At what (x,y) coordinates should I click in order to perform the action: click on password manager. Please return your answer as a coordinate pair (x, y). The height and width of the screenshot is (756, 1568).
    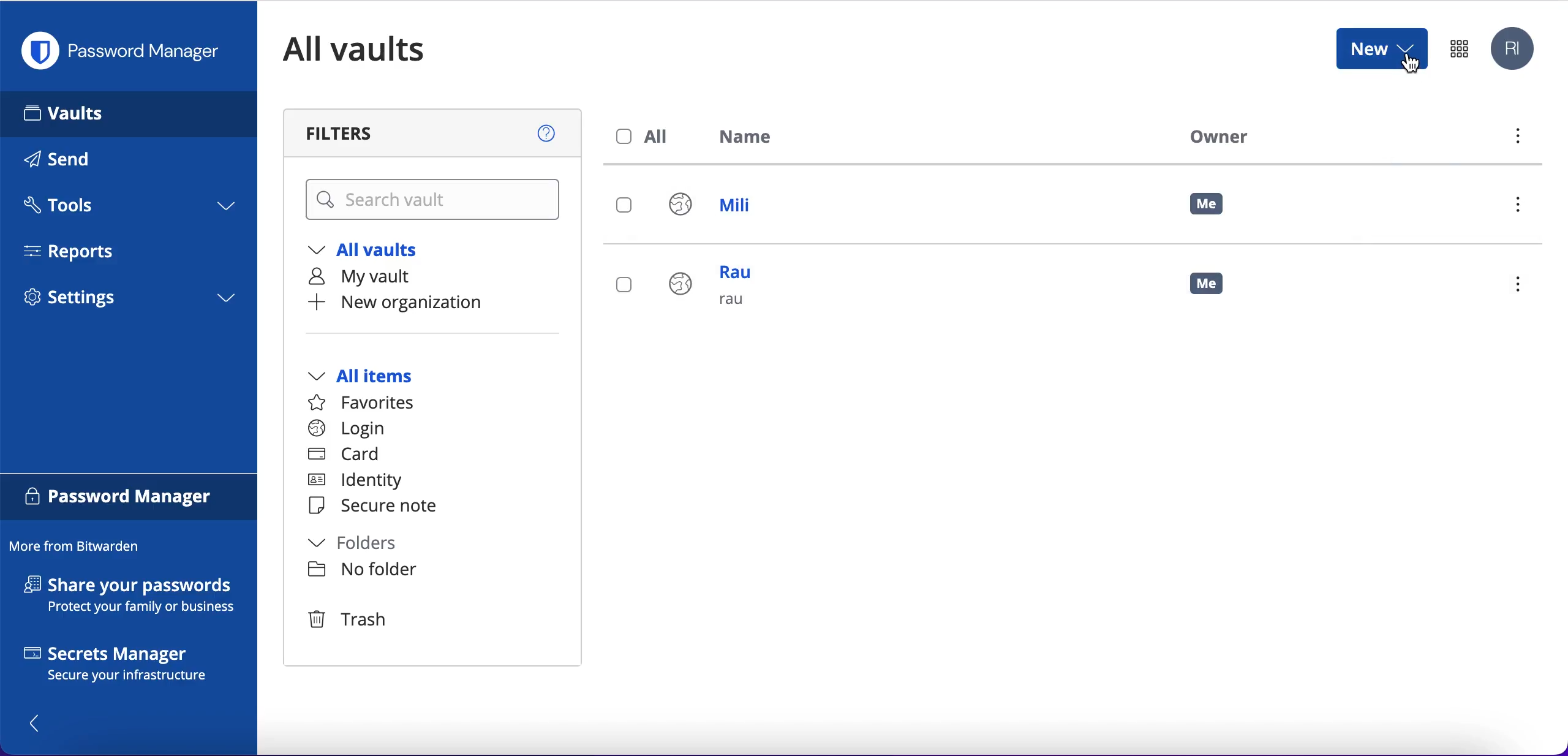
    Looking at the image, I should click on (126, 51).